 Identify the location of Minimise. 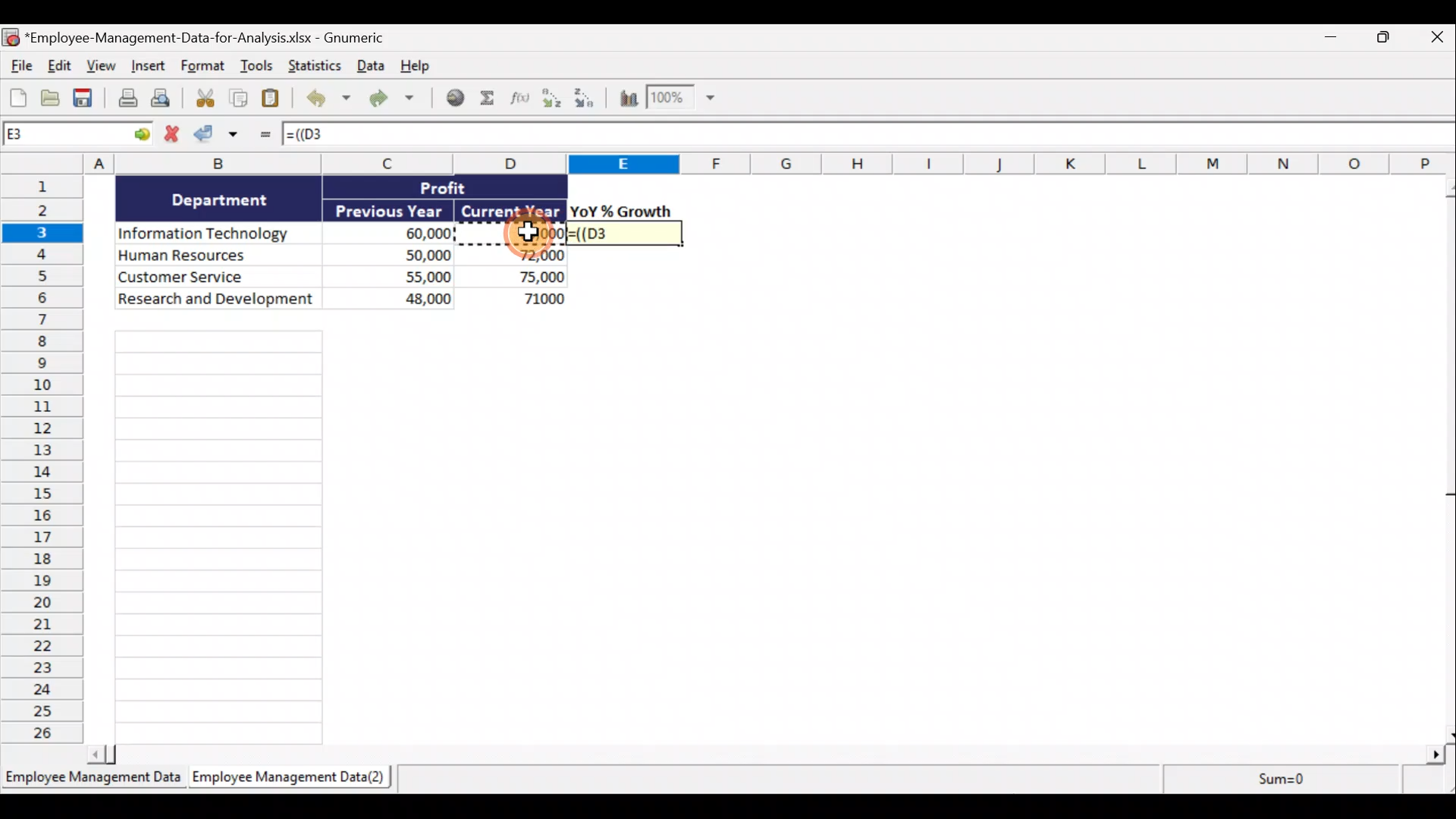
(1328, 40).